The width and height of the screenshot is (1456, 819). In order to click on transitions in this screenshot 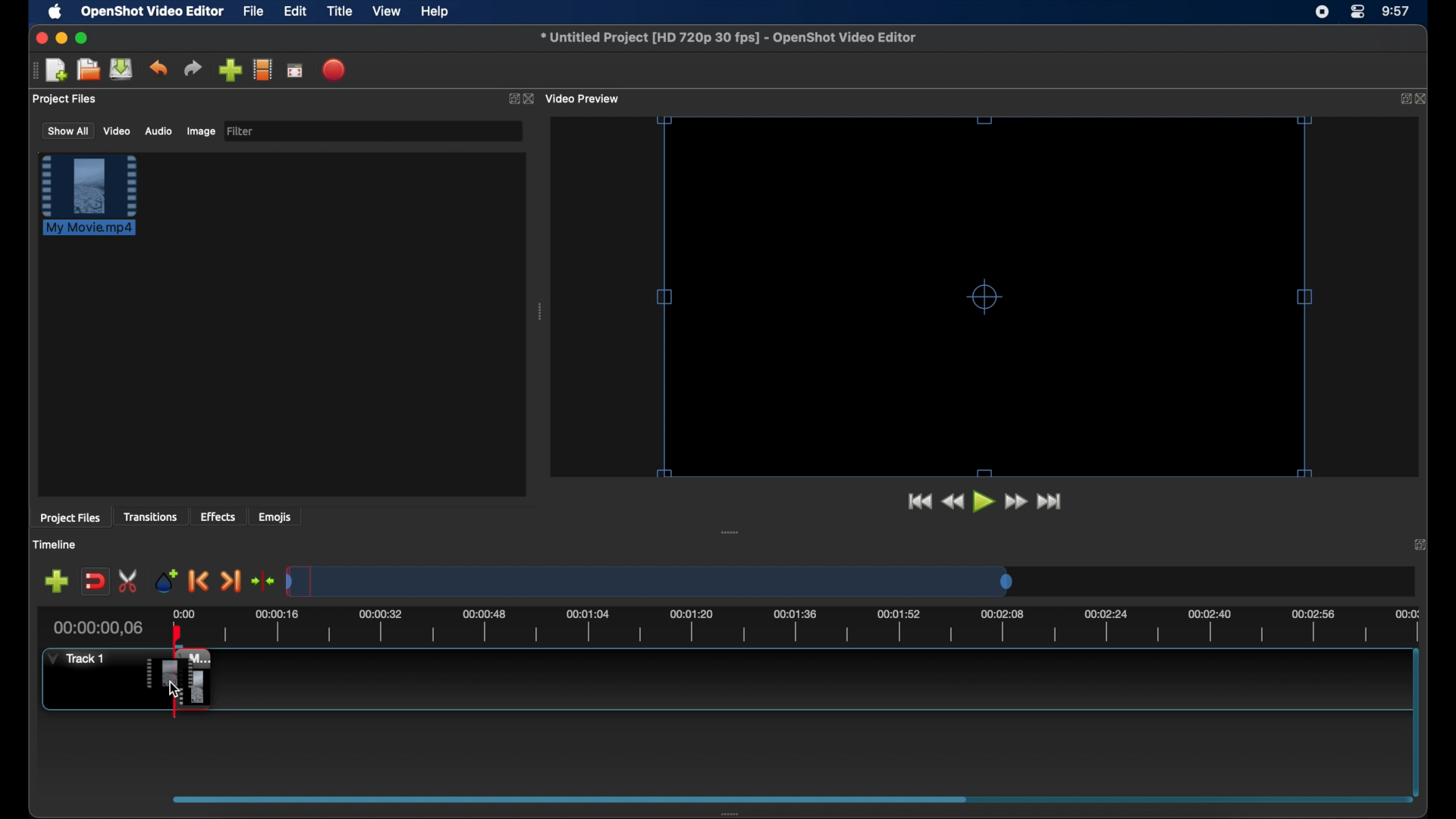, I will do `click(150, 516)`.